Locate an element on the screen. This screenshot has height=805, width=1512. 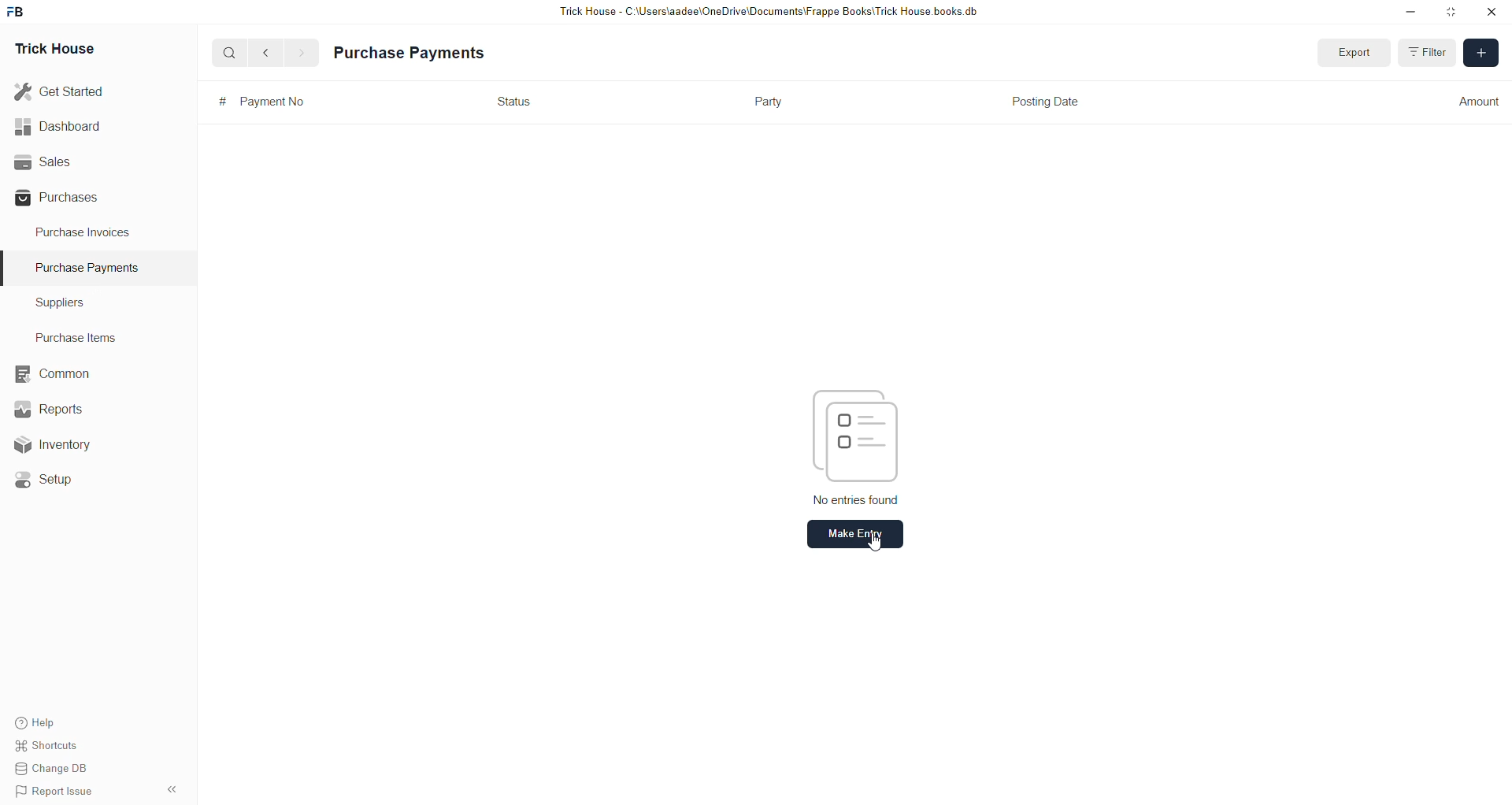
Inventory is located at coordinates (54, 443).